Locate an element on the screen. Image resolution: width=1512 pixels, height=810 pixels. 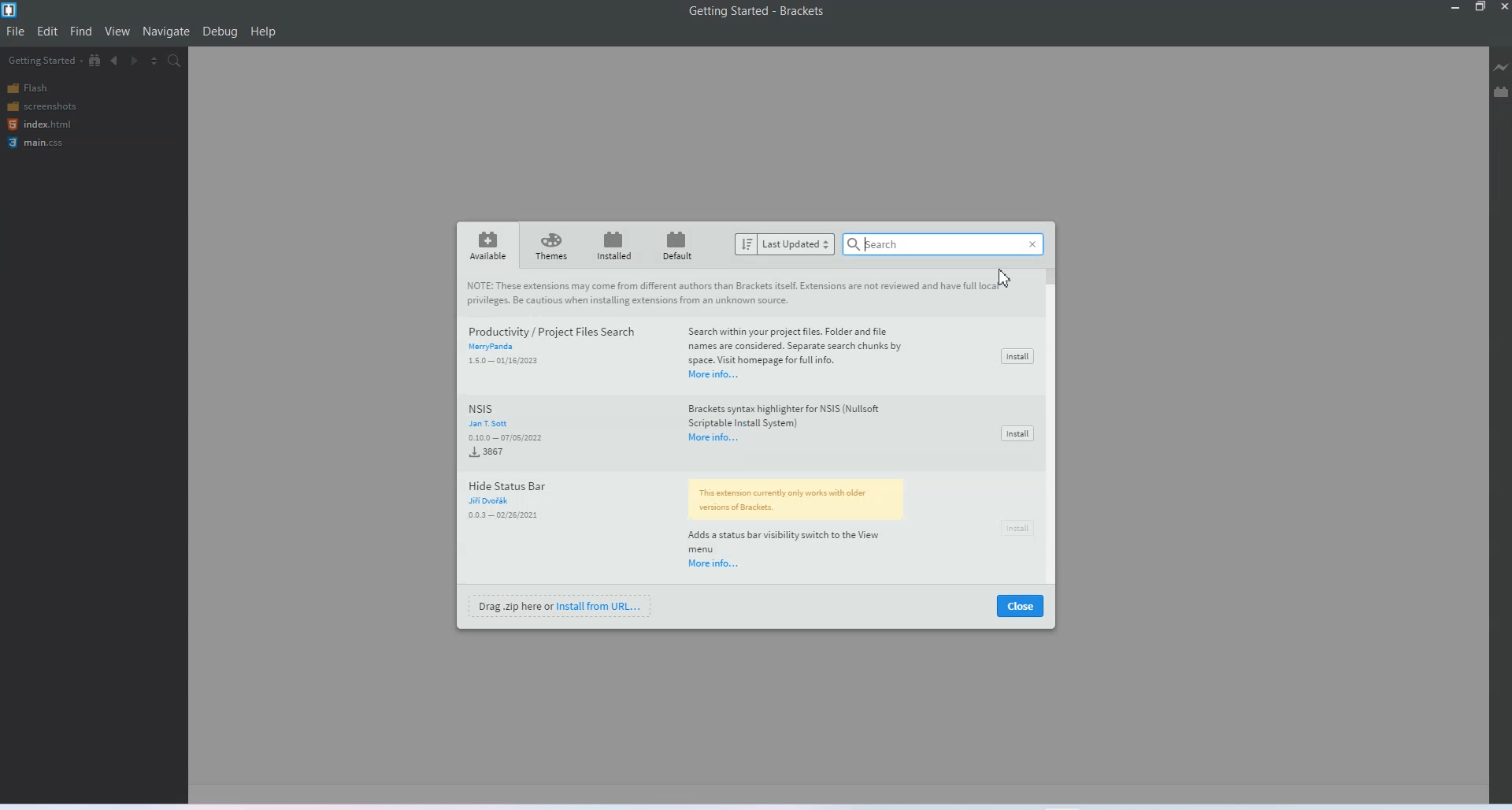
Close is located at coordinates (1503, 7).